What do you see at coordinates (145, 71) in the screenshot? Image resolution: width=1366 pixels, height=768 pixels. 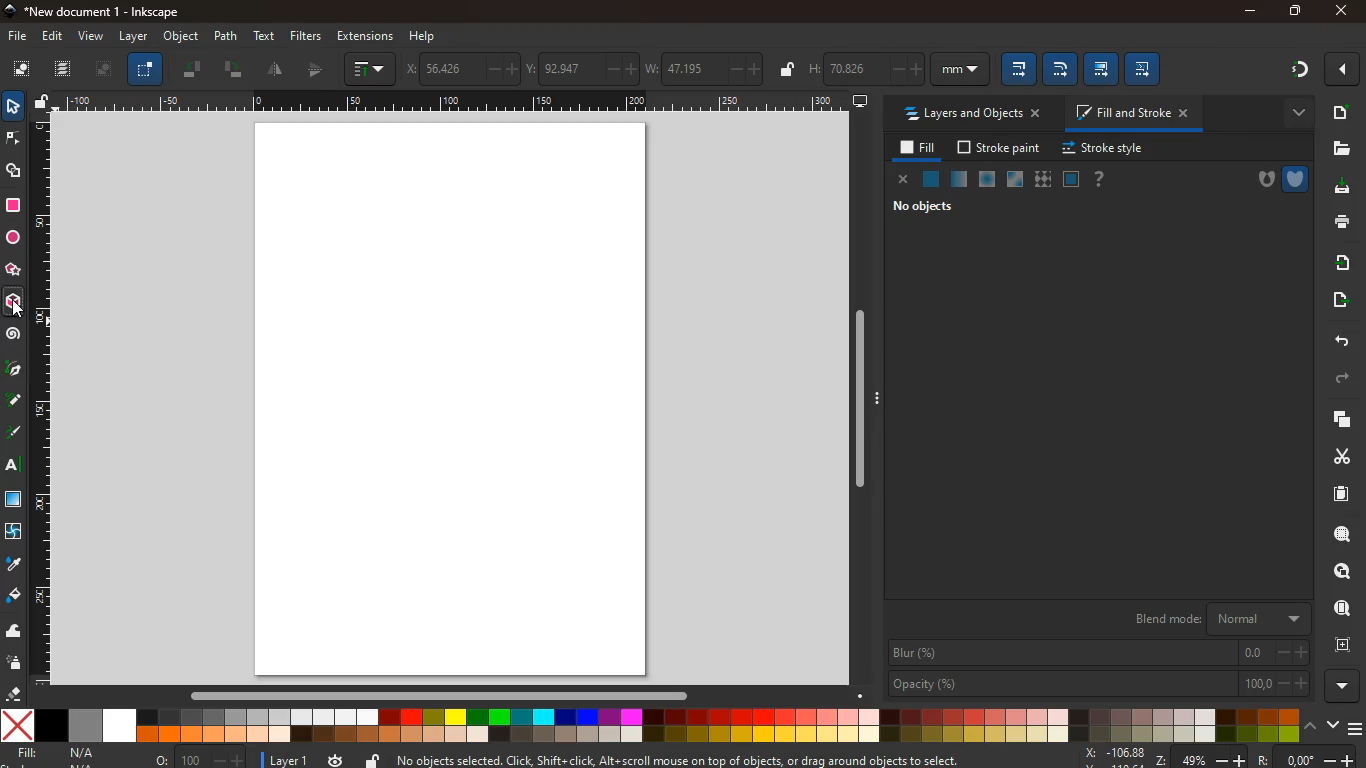 I see `select` at bounding box center [145, 71].